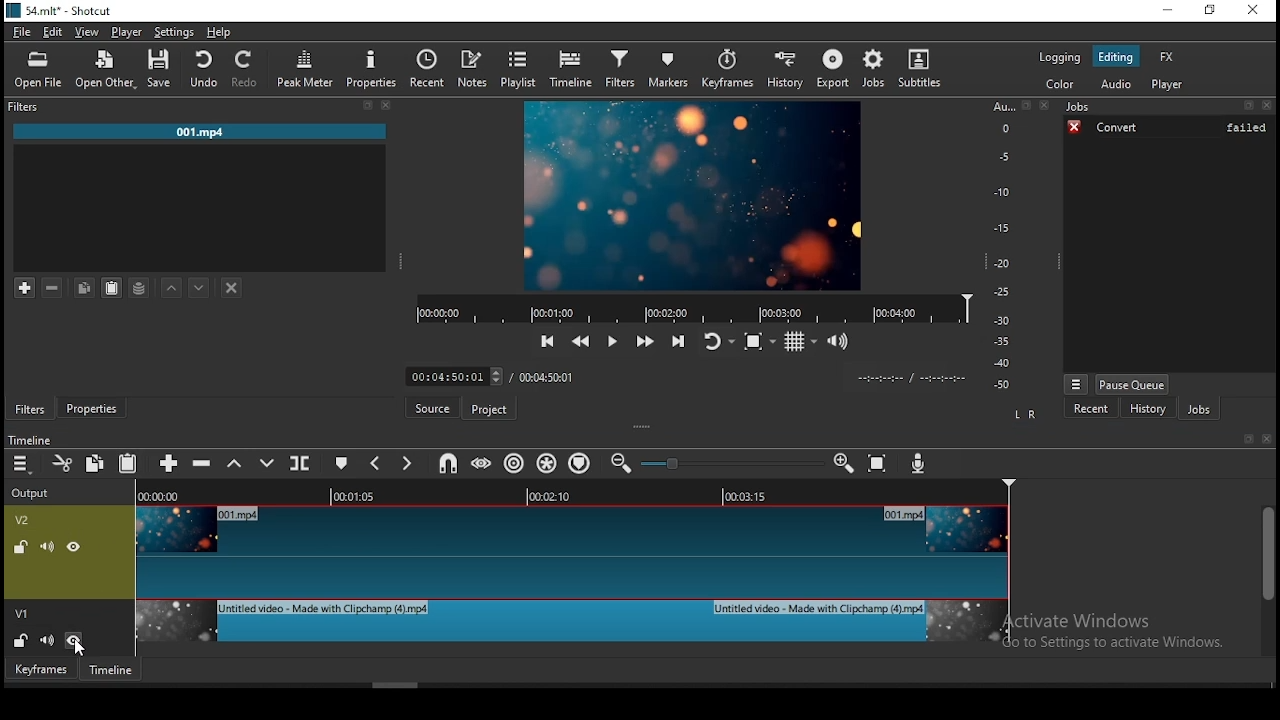 This screenshot has height=720, width=1280. Describe the element at coordinates (574, 67) in the screenshot. I see `timeline` at that location.